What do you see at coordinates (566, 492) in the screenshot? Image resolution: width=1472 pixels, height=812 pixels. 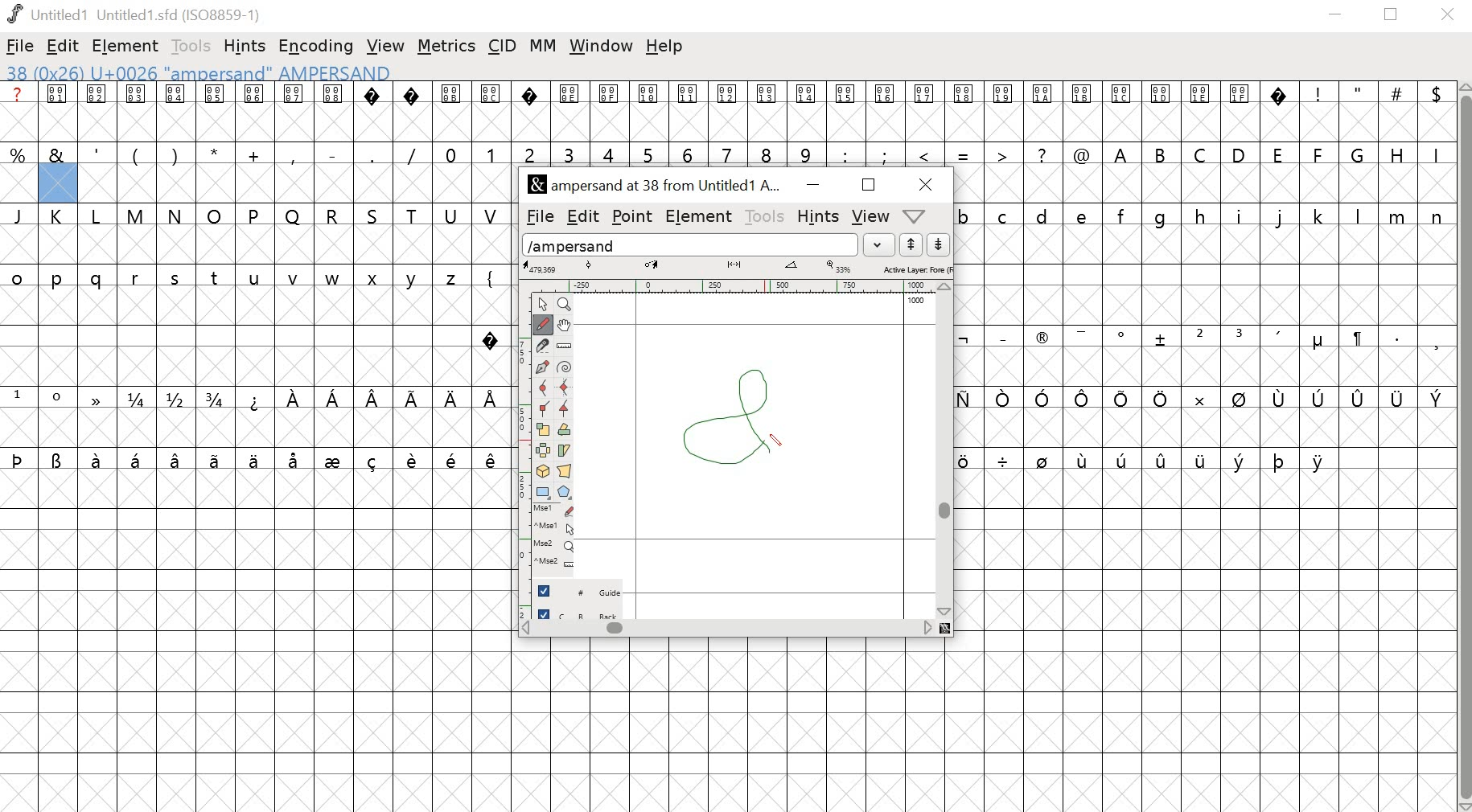 I see `polygon and stars` at bounding box center [566, 492].